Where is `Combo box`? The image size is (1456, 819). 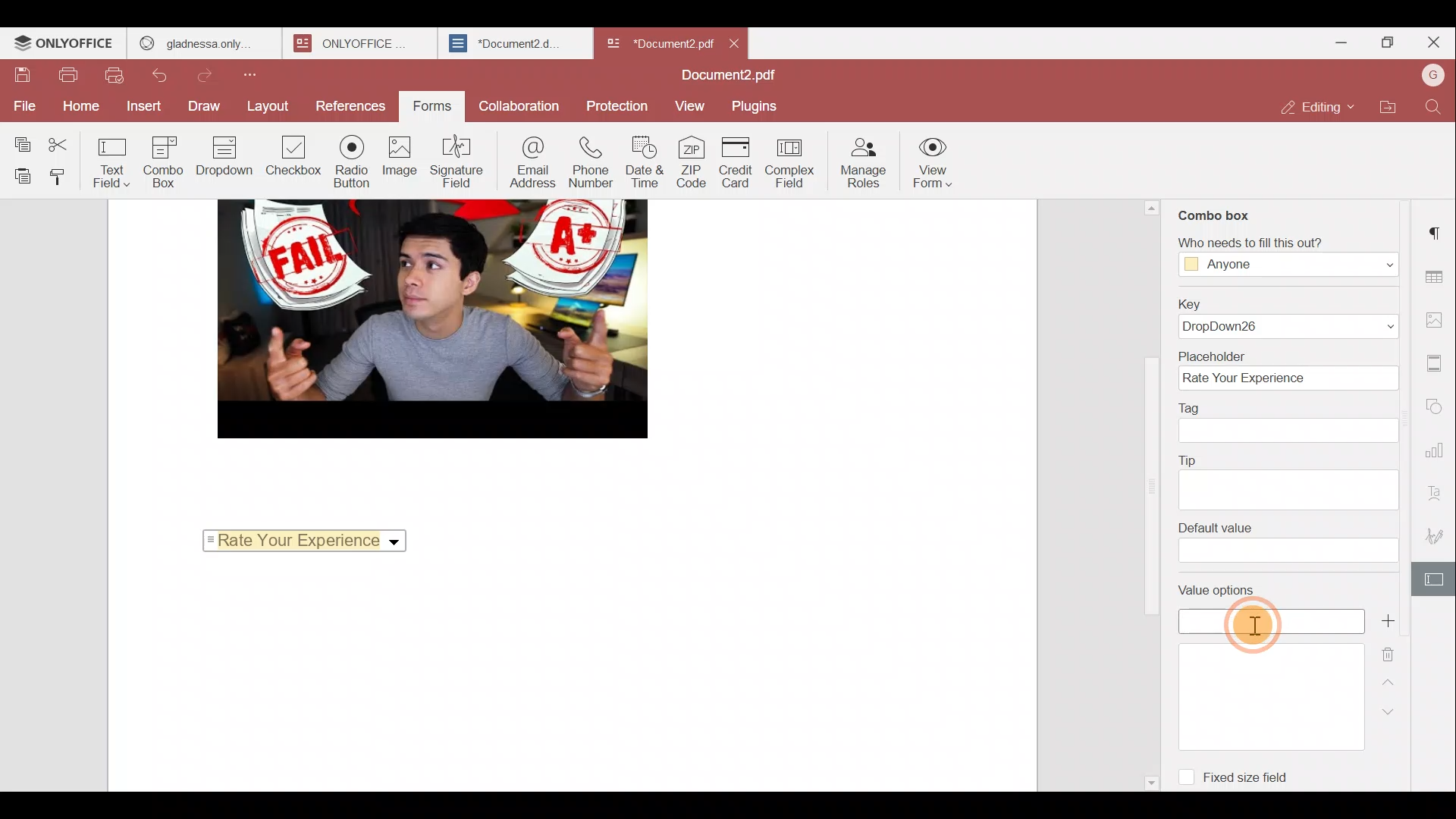
Combo box is located at coordinates (1216, 212).